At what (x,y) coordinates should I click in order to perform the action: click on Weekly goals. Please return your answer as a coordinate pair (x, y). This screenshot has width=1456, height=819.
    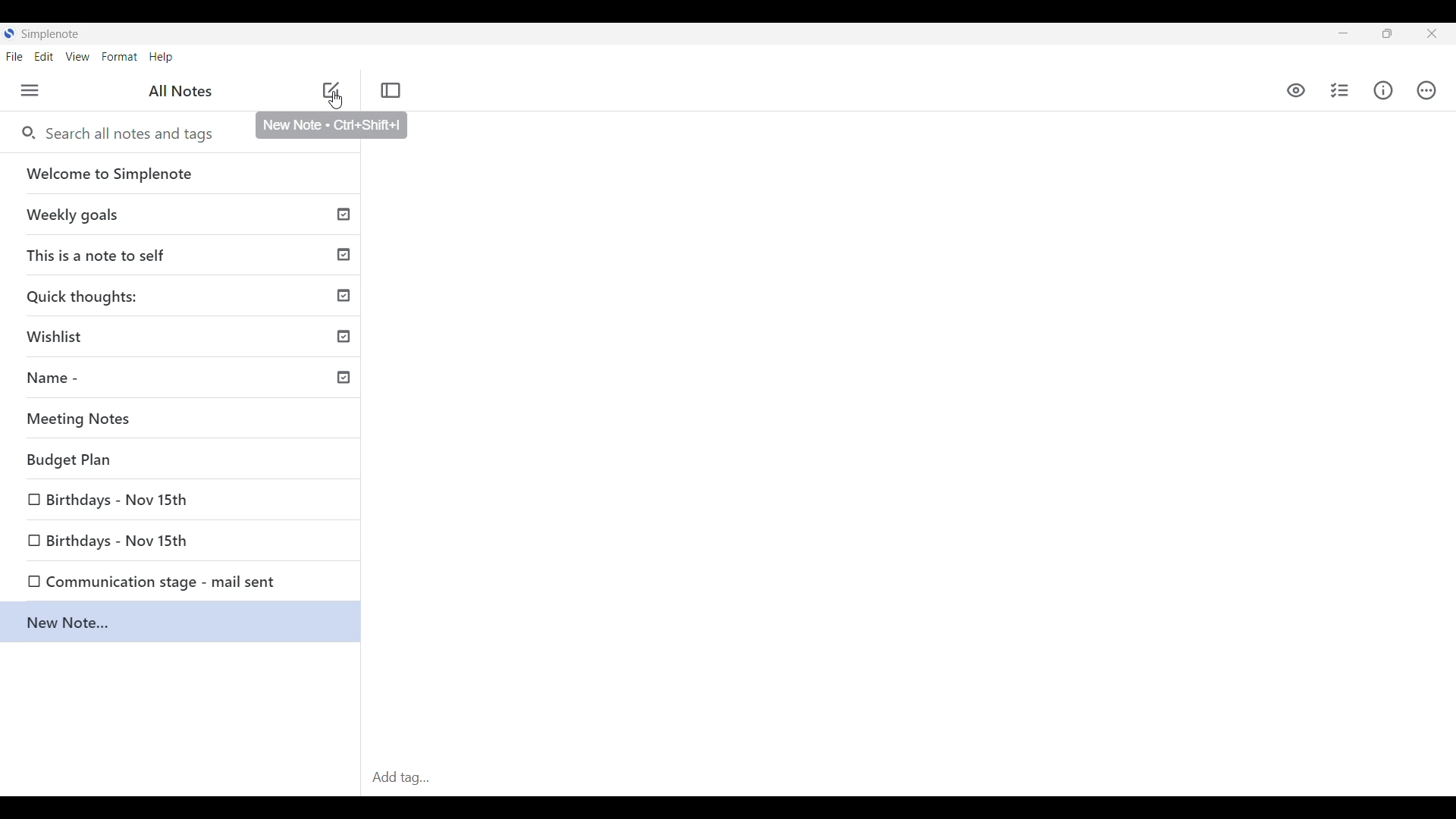
    Looking at the image, I should click on (180, 214).